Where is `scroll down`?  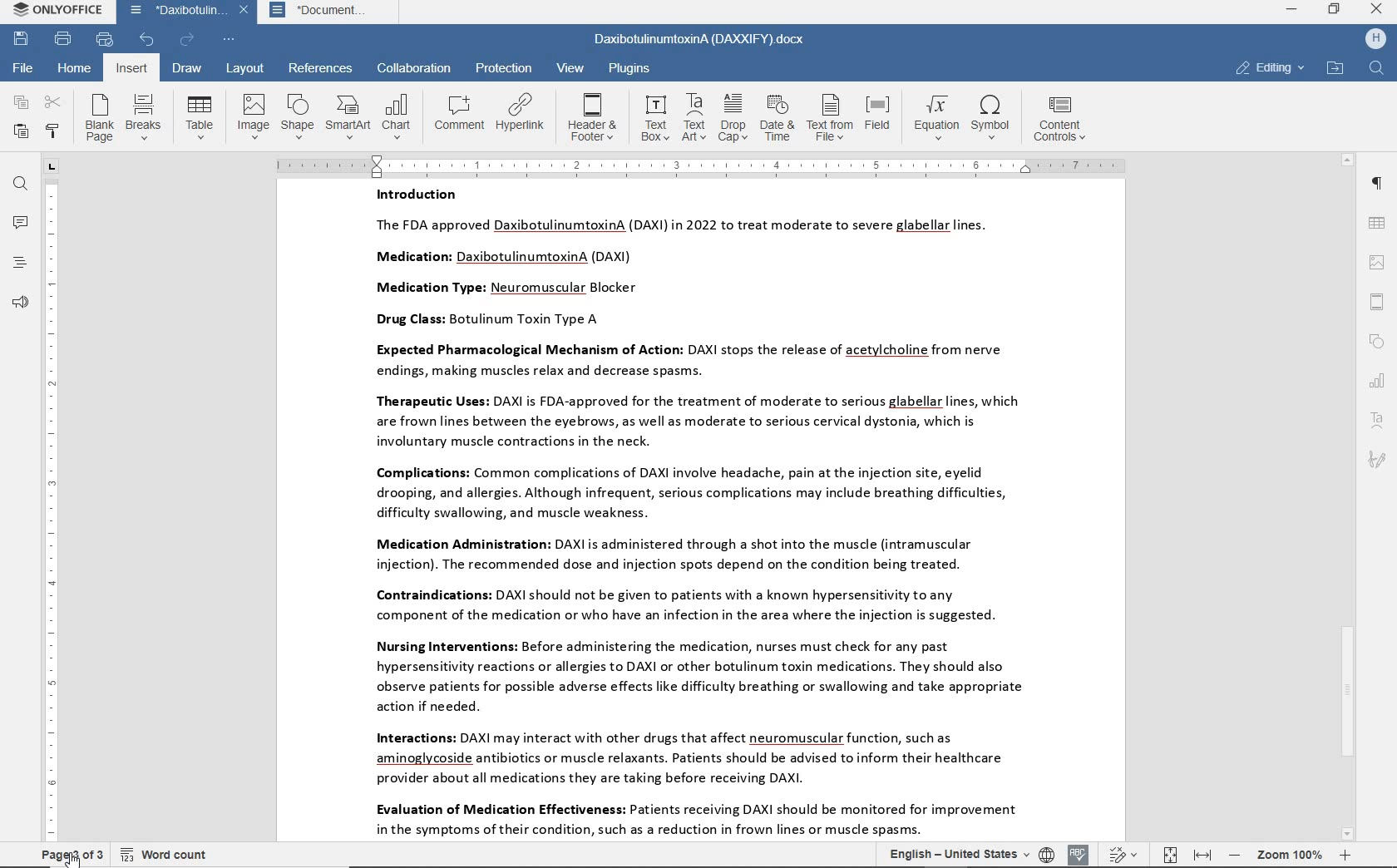
scroll down is located at coordinates (1348, 835).